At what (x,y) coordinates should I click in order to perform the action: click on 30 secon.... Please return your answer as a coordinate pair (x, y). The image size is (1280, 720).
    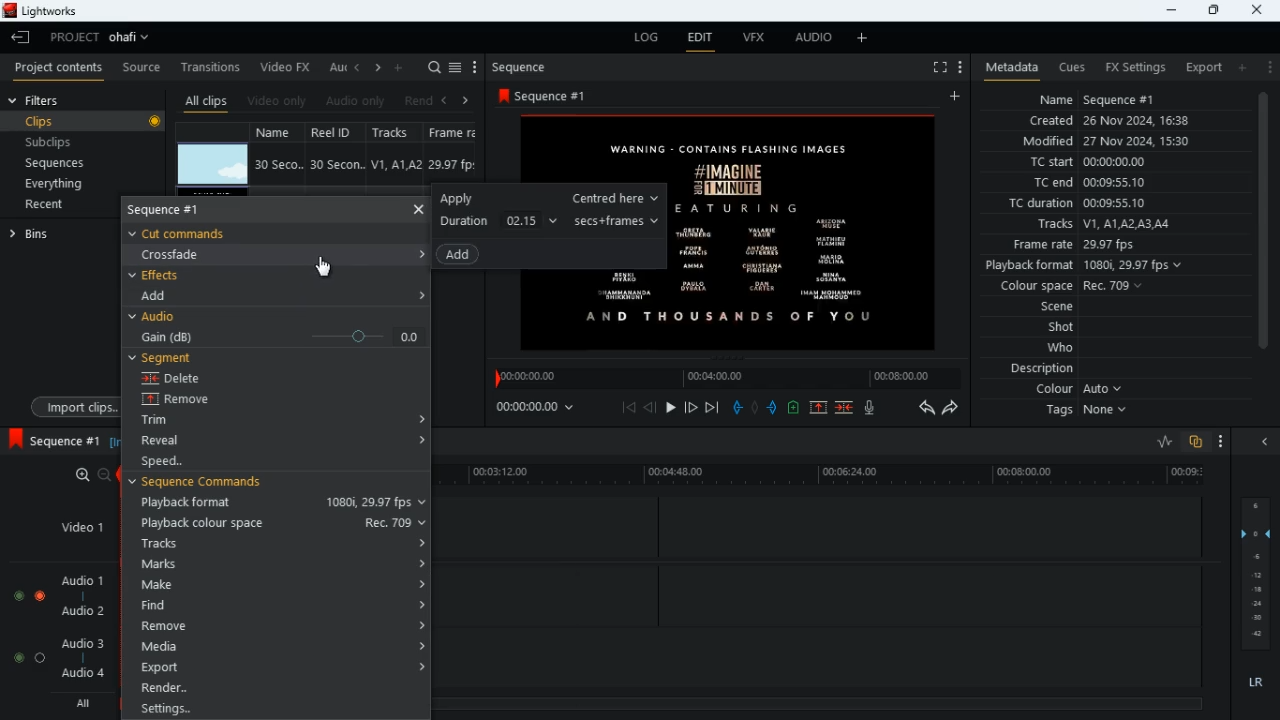
    Looking at the image, I should click on (334, 165).